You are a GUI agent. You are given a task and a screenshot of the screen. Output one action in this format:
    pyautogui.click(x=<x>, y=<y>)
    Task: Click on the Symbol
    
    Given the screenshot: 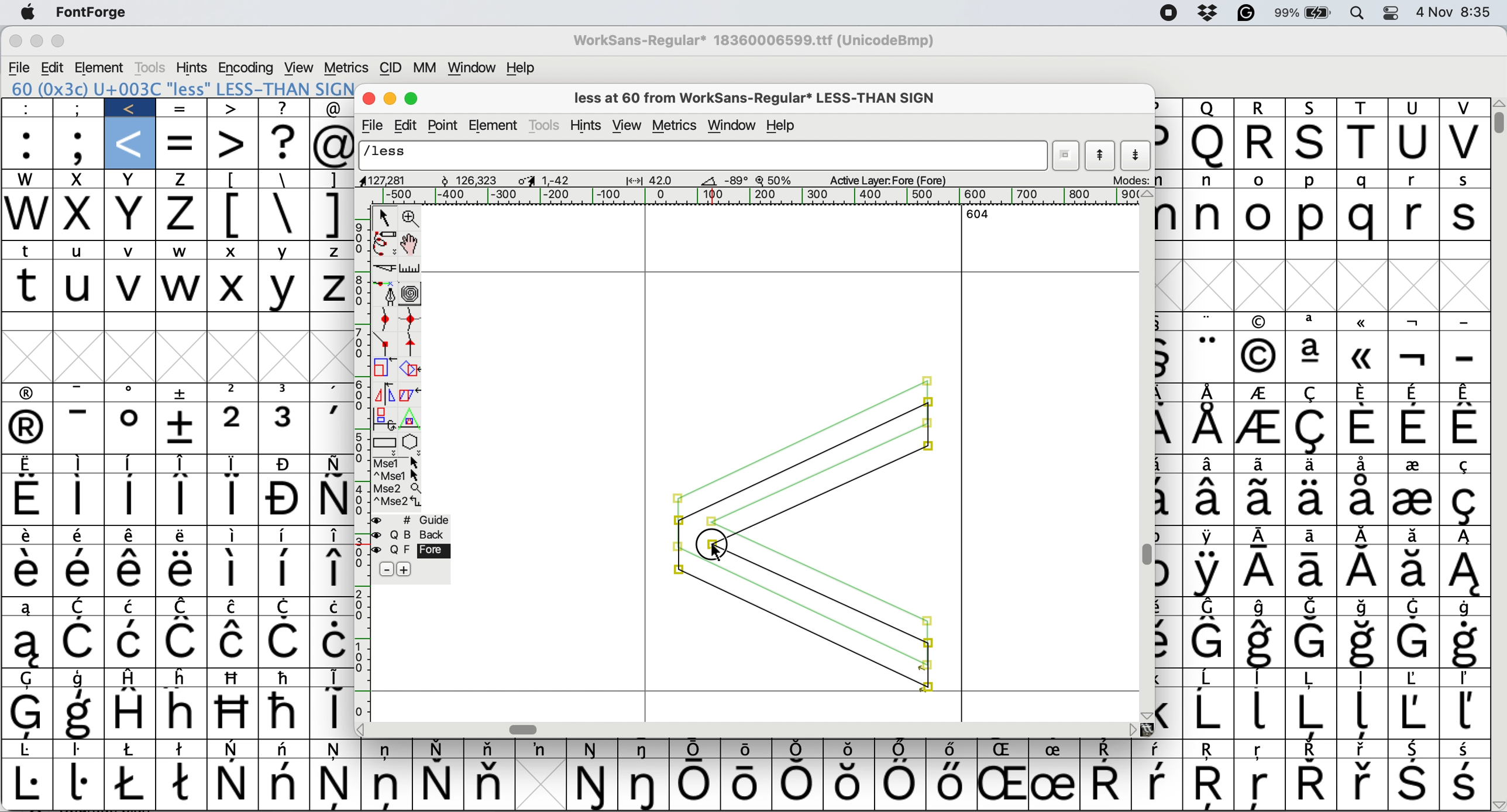 What is the action you would take?
    pyautogui.click(x=183, y=462)
    